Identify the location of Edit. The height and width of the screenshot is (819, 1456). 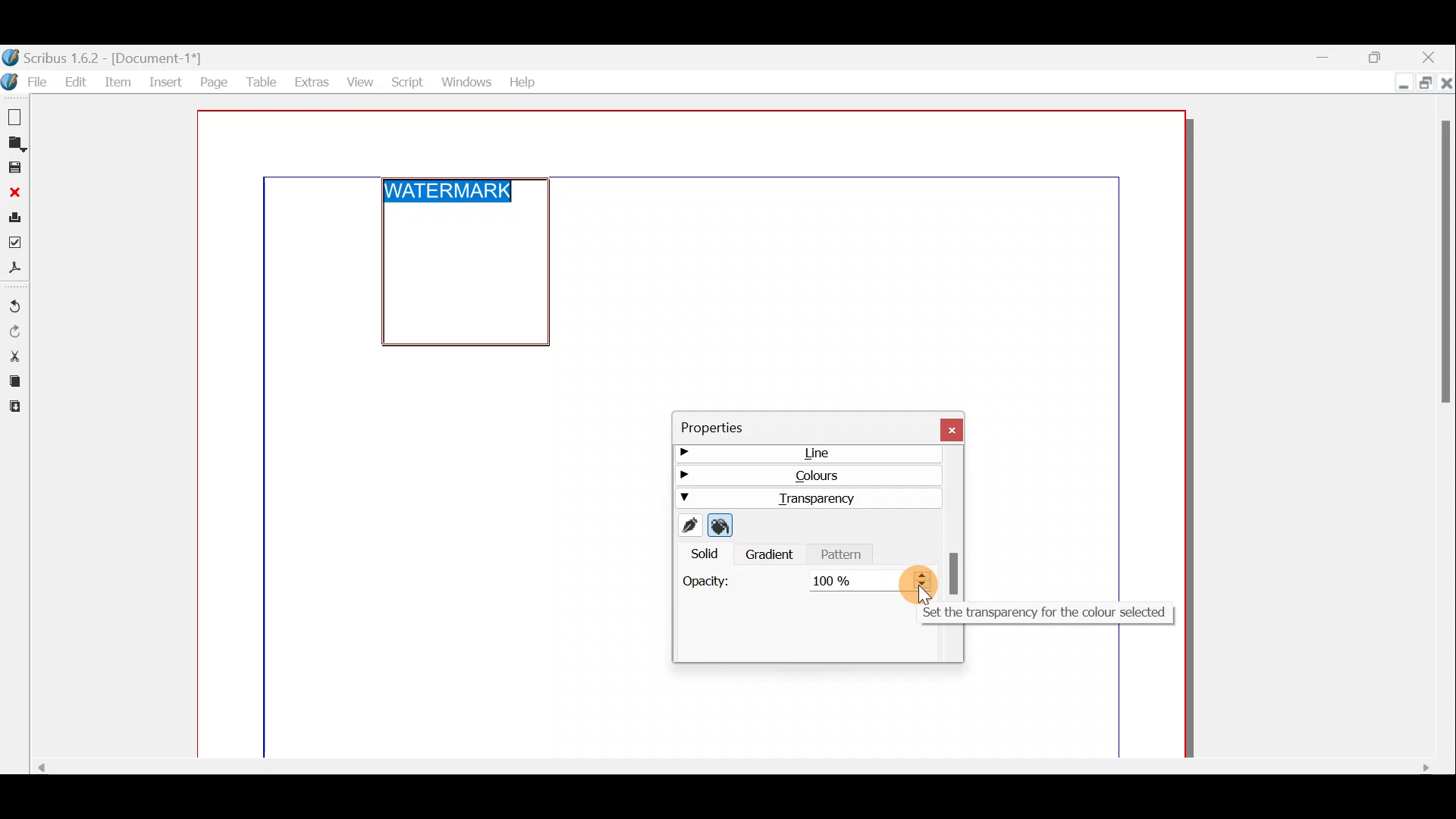
(77, 81).